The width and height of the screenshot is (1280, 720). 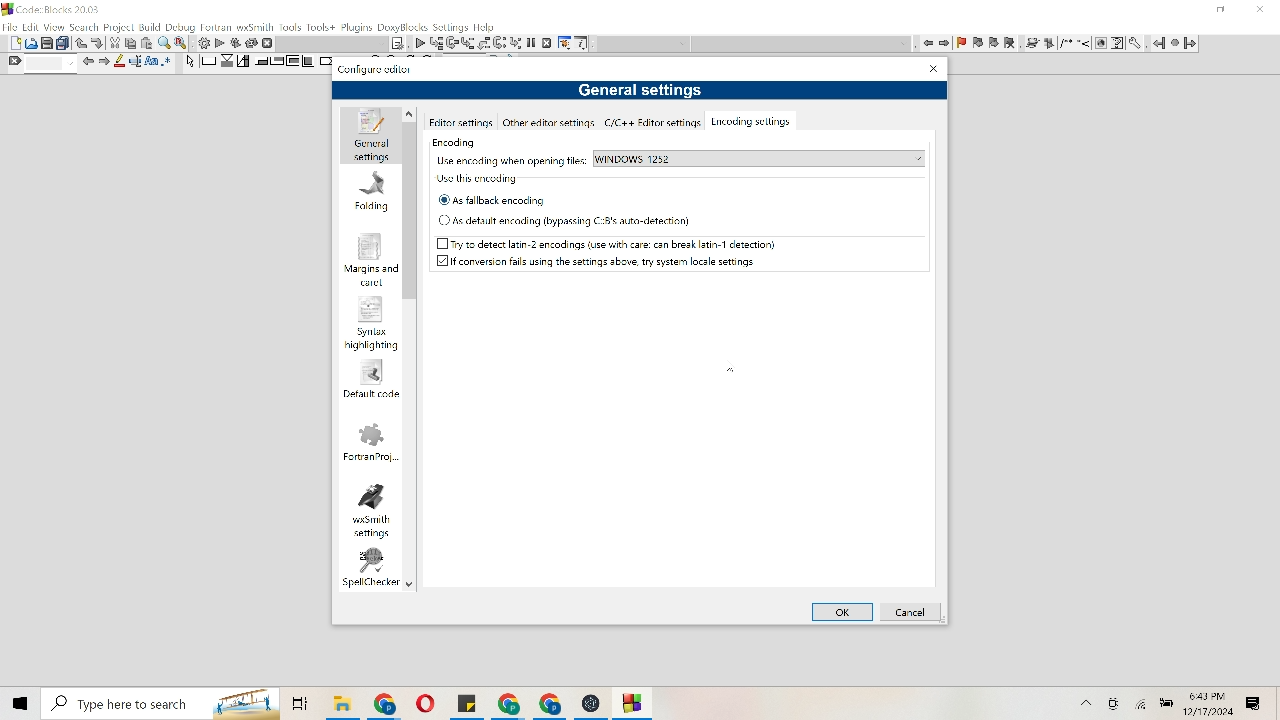 What do you see at coordinates (84, 26) in the screenshot?
I see `Search` at bounding box center [84, 26].